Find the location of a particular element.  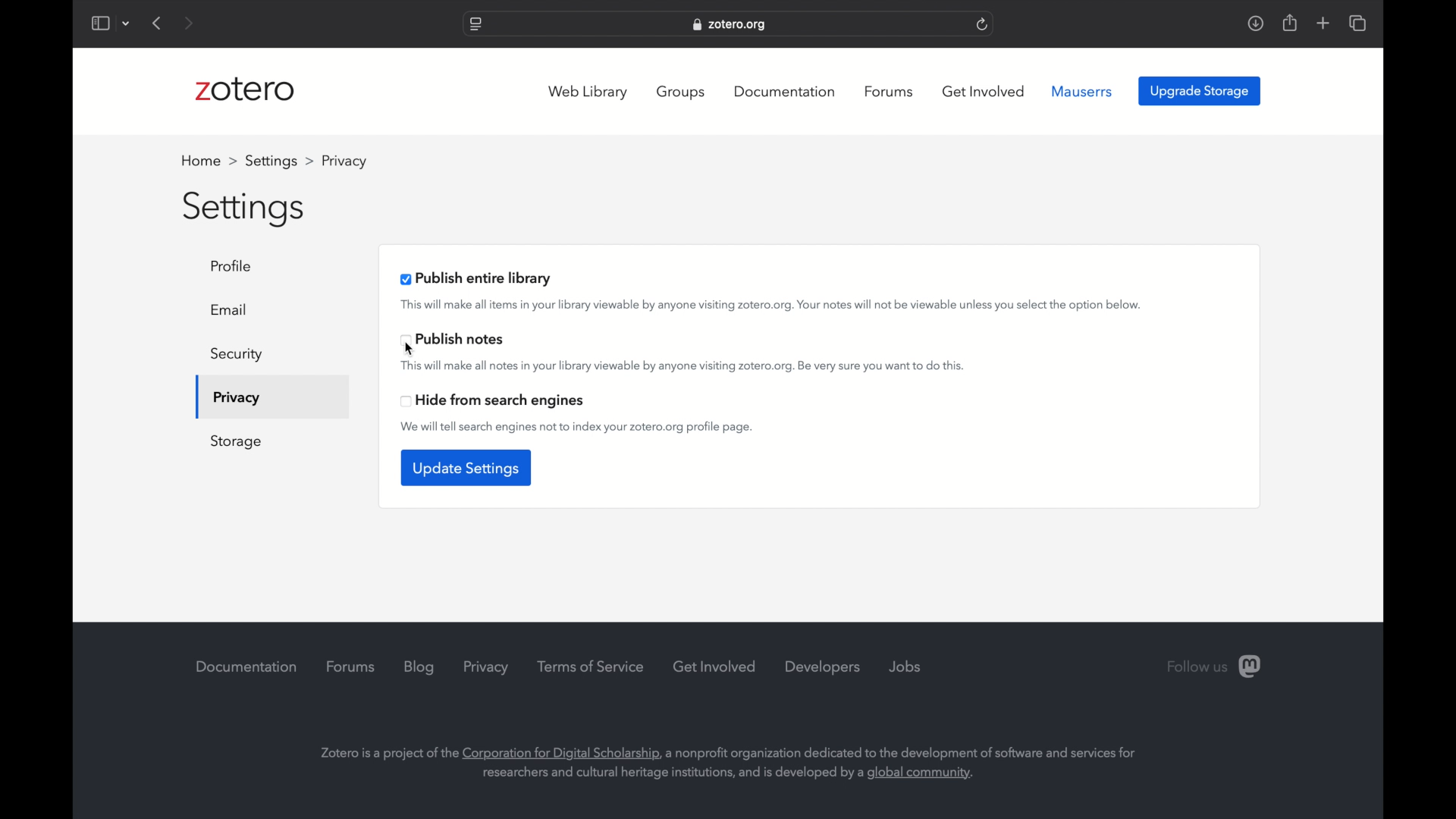

this will make all items in your library viewable is located at coordinates (773, 306).